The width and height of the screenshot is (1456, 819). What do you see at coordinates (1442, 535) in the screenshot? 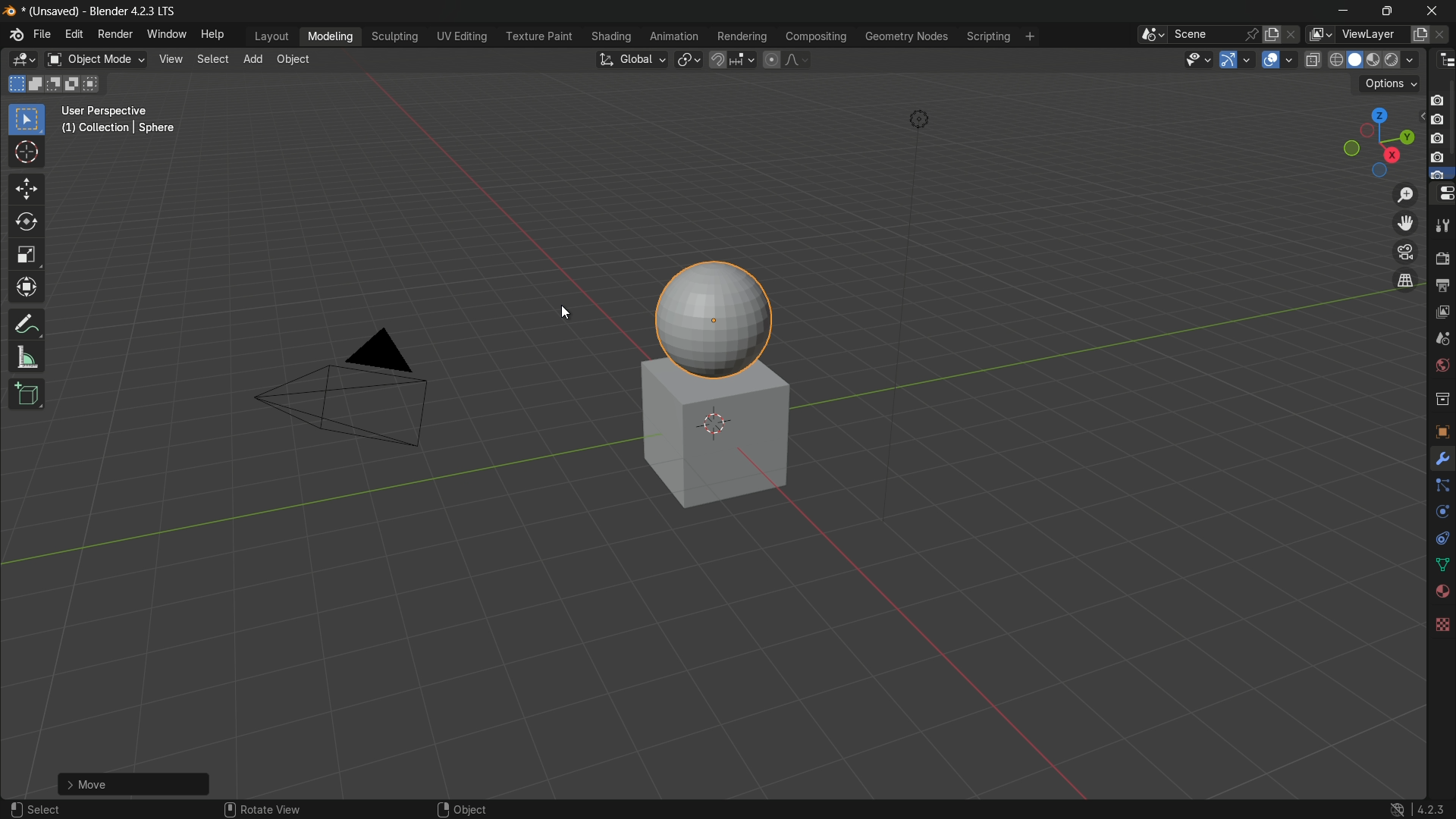
I see `Object Constraints Properties` at bounding box center [1442, 535].